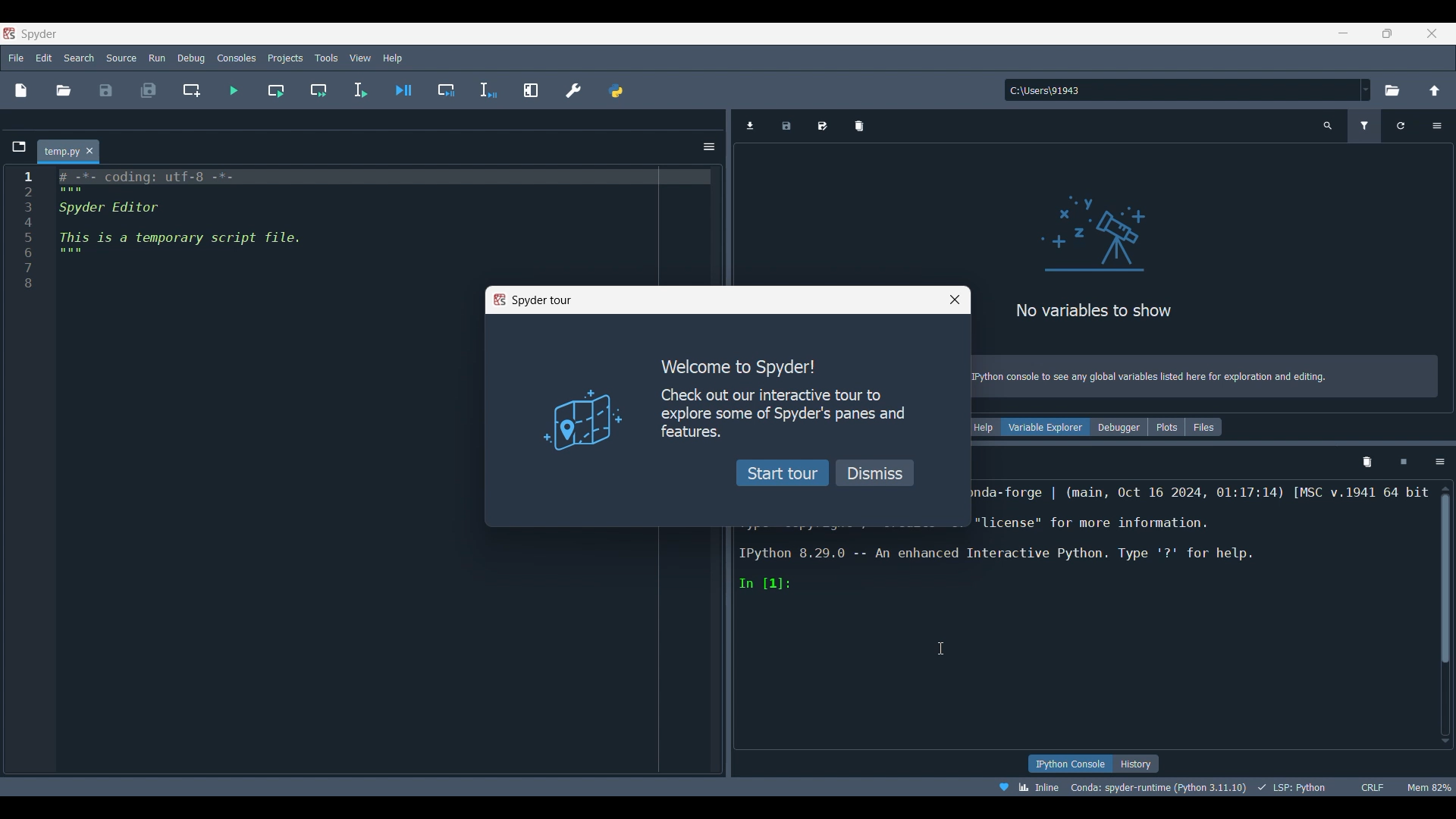 The width and height of the screenshot is (1456, 819). I want to click on Welcome to Spyder!

Check out our interactive tour to
explore some of Spyder's panes and
features., so click(779, 397).